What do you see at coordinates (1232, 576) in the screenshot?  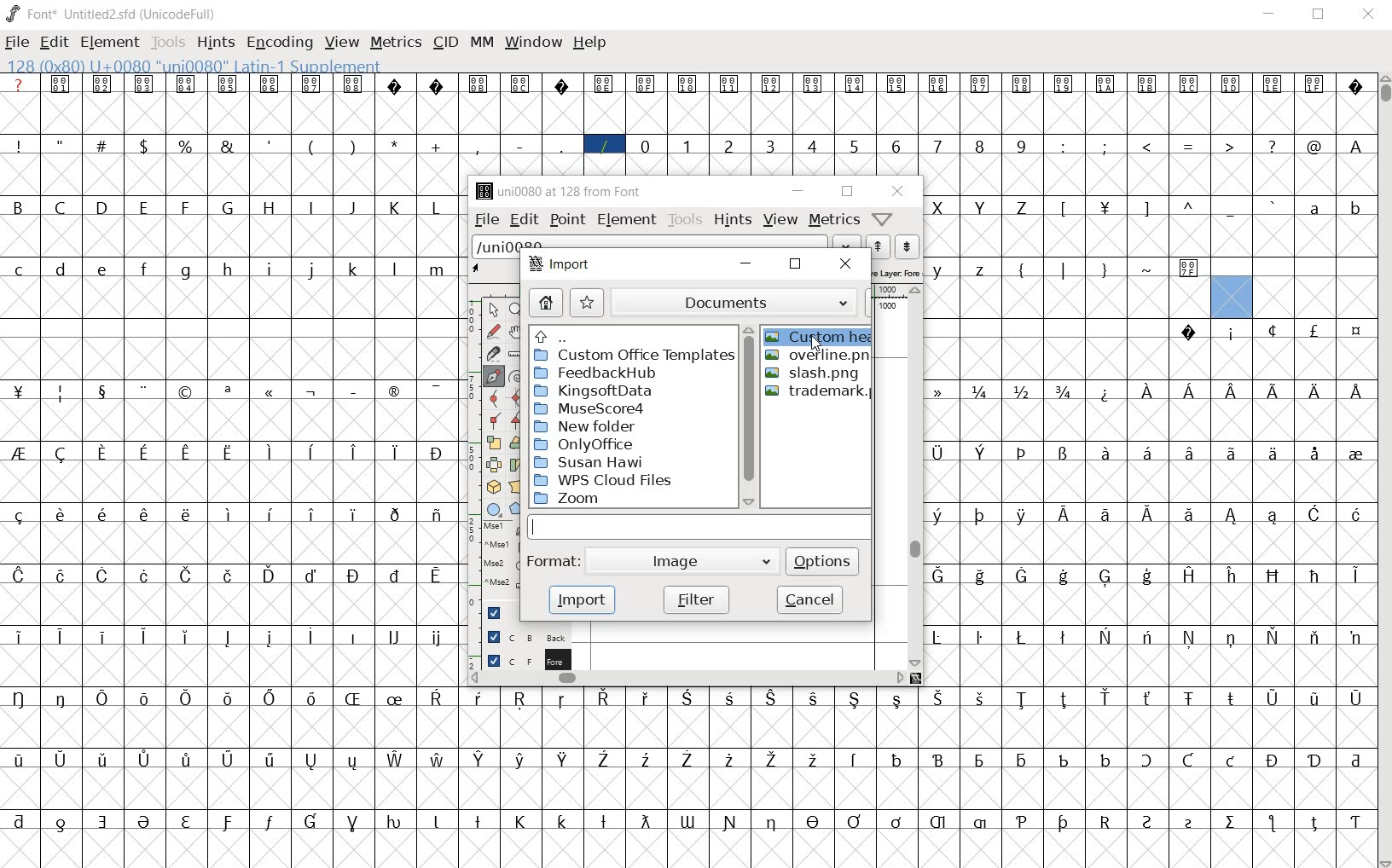 I see `glyph` at bounding box center [1232, 576].